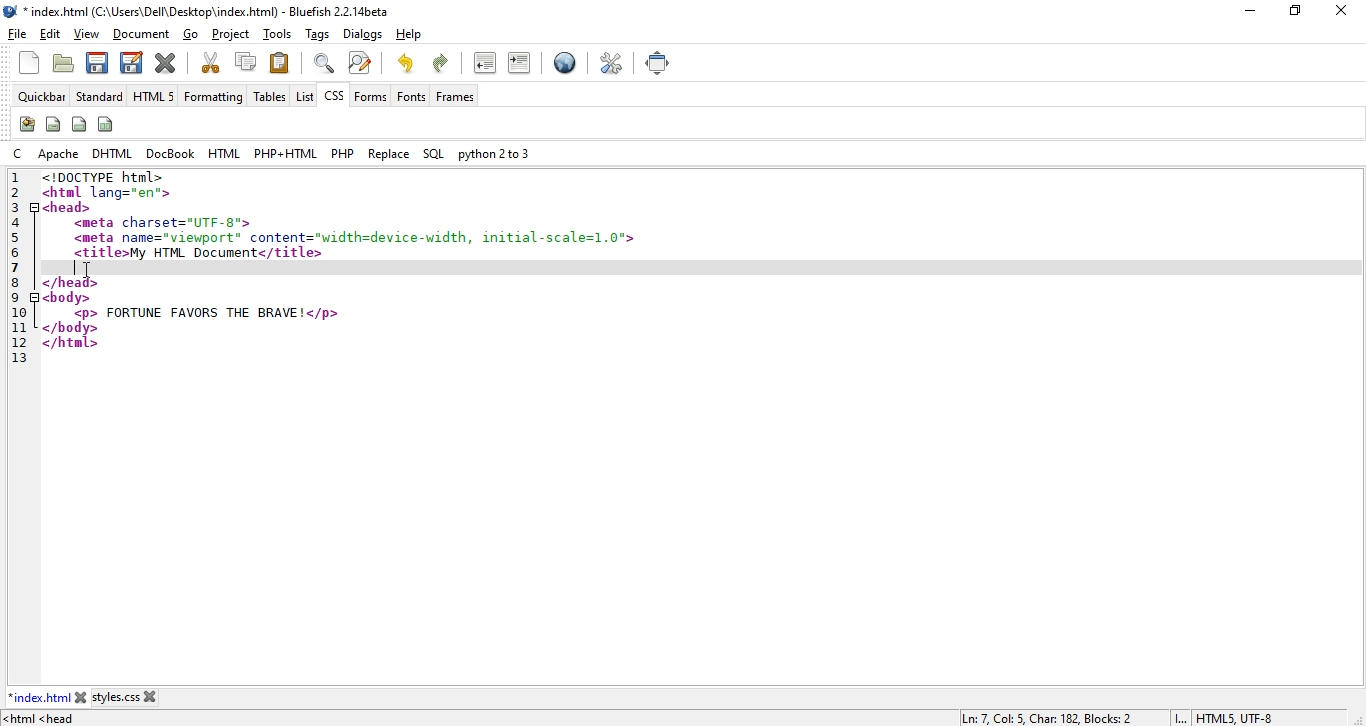 This screenshot has width=1366, height=726. Describe the element at coordinates (71, 328) in the screenshot. I see `</body>` at that location.